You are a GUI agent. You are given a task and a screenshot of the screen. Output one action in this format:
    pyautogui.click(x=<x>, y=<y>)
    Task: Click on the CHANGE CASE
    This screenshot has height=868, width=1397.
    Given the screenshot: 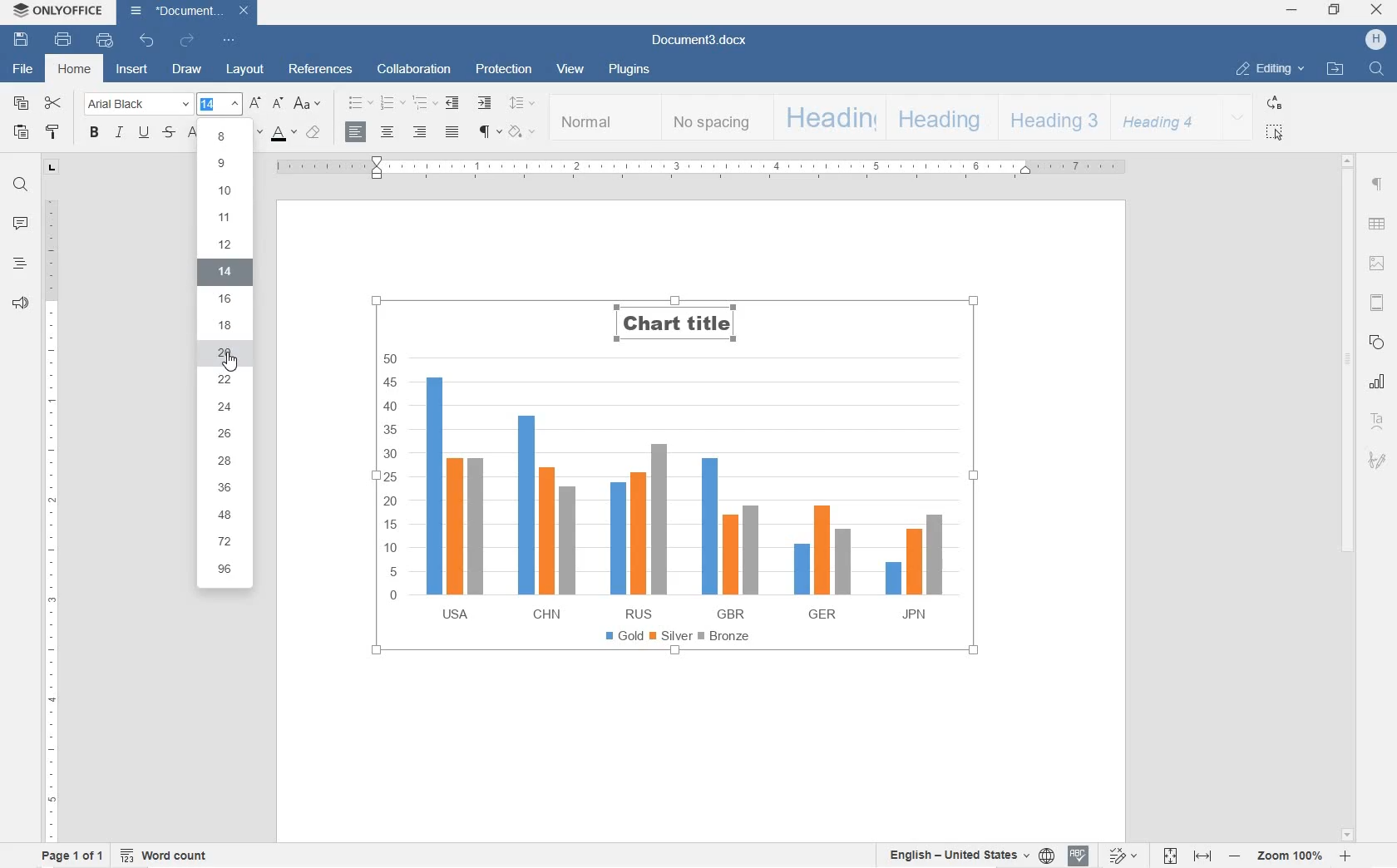 What is the action you would take?
    pyautogui.click(x=308, y=103)
    